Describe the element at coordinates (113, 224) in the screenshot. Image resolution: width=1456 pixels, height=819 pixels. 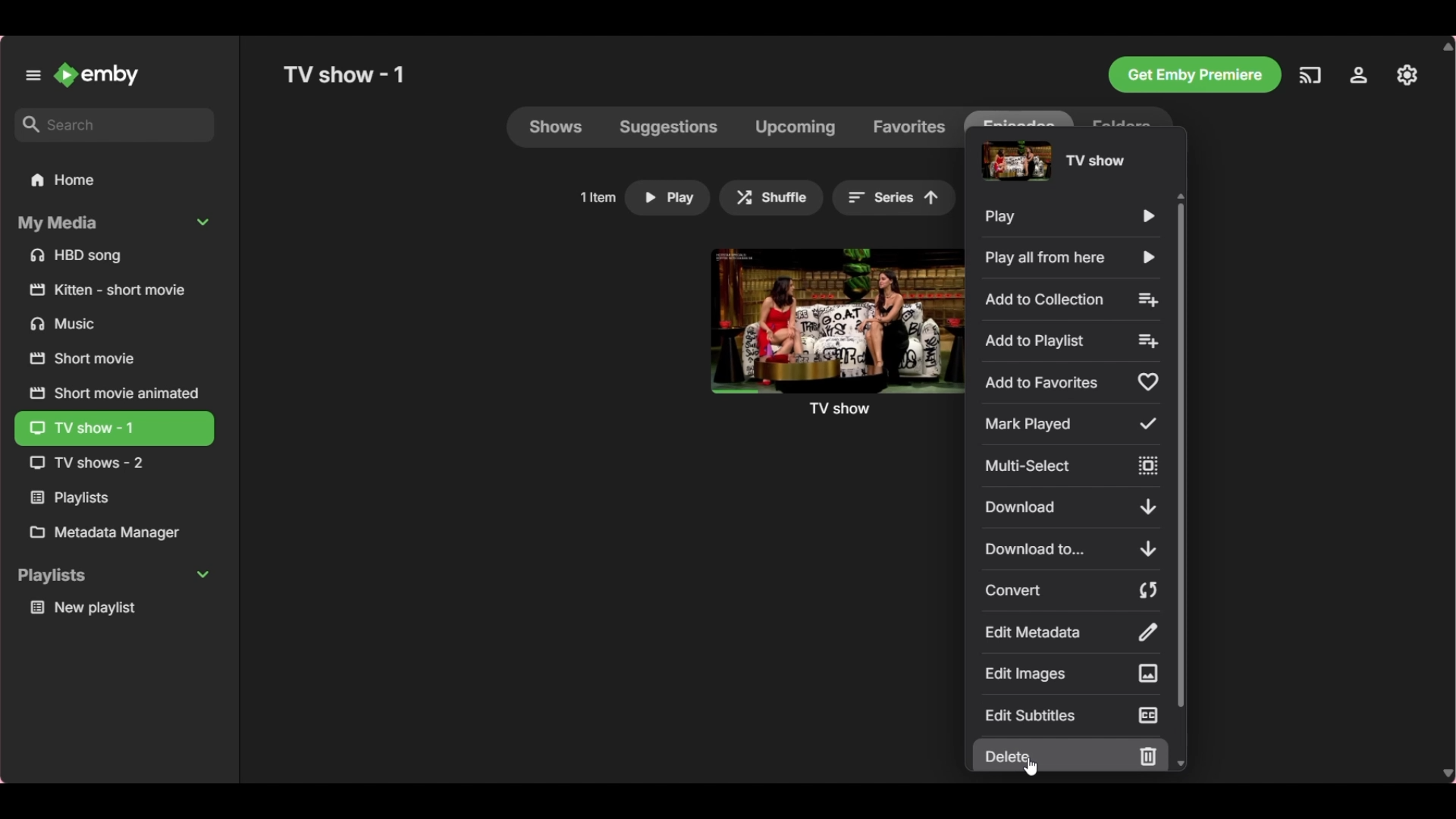
I see `Collapse My media` at that location.